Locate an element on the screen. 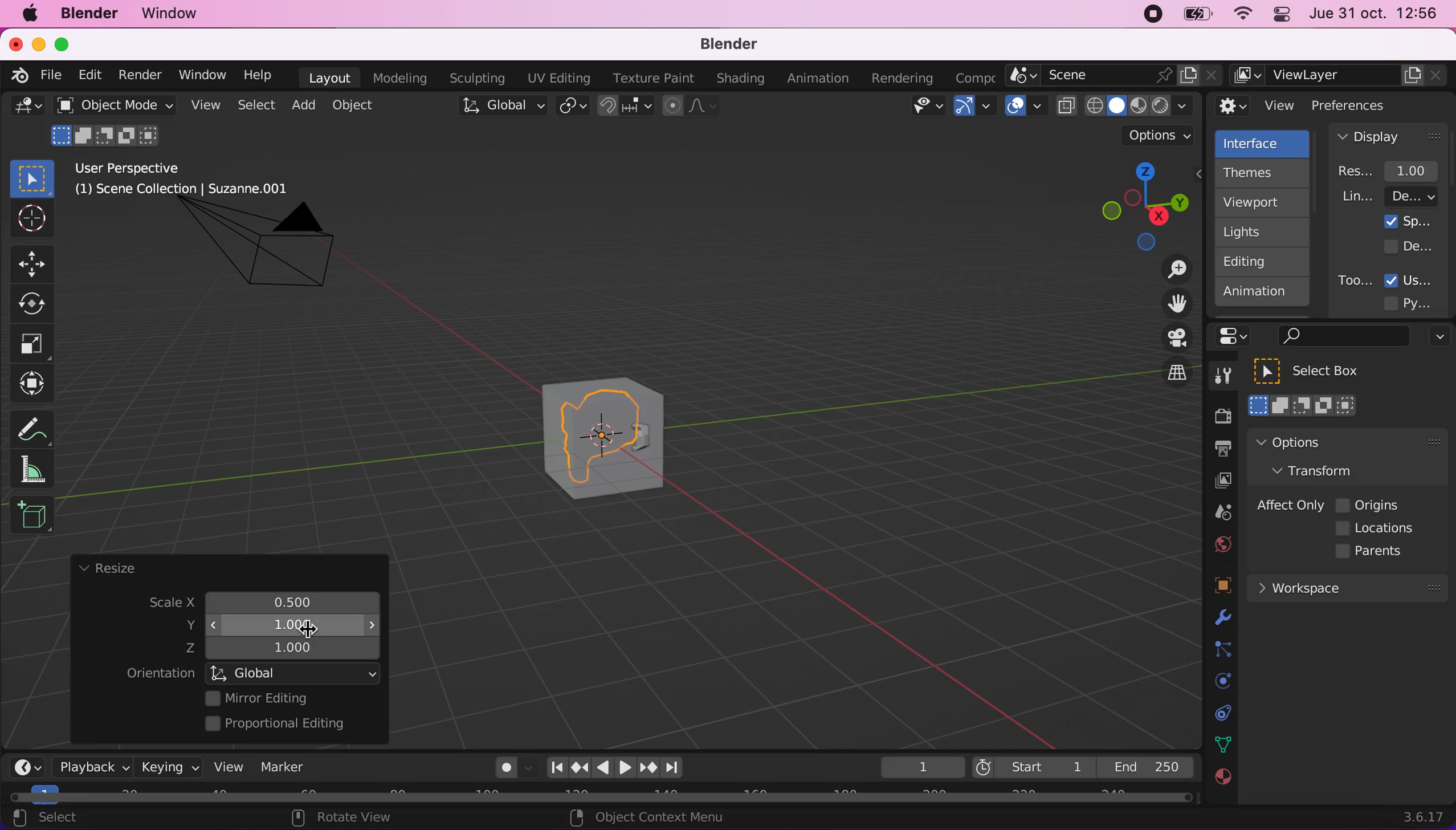 This screenshot has width=1456, height=830. splash screen is located at coordinates (1408, 221).